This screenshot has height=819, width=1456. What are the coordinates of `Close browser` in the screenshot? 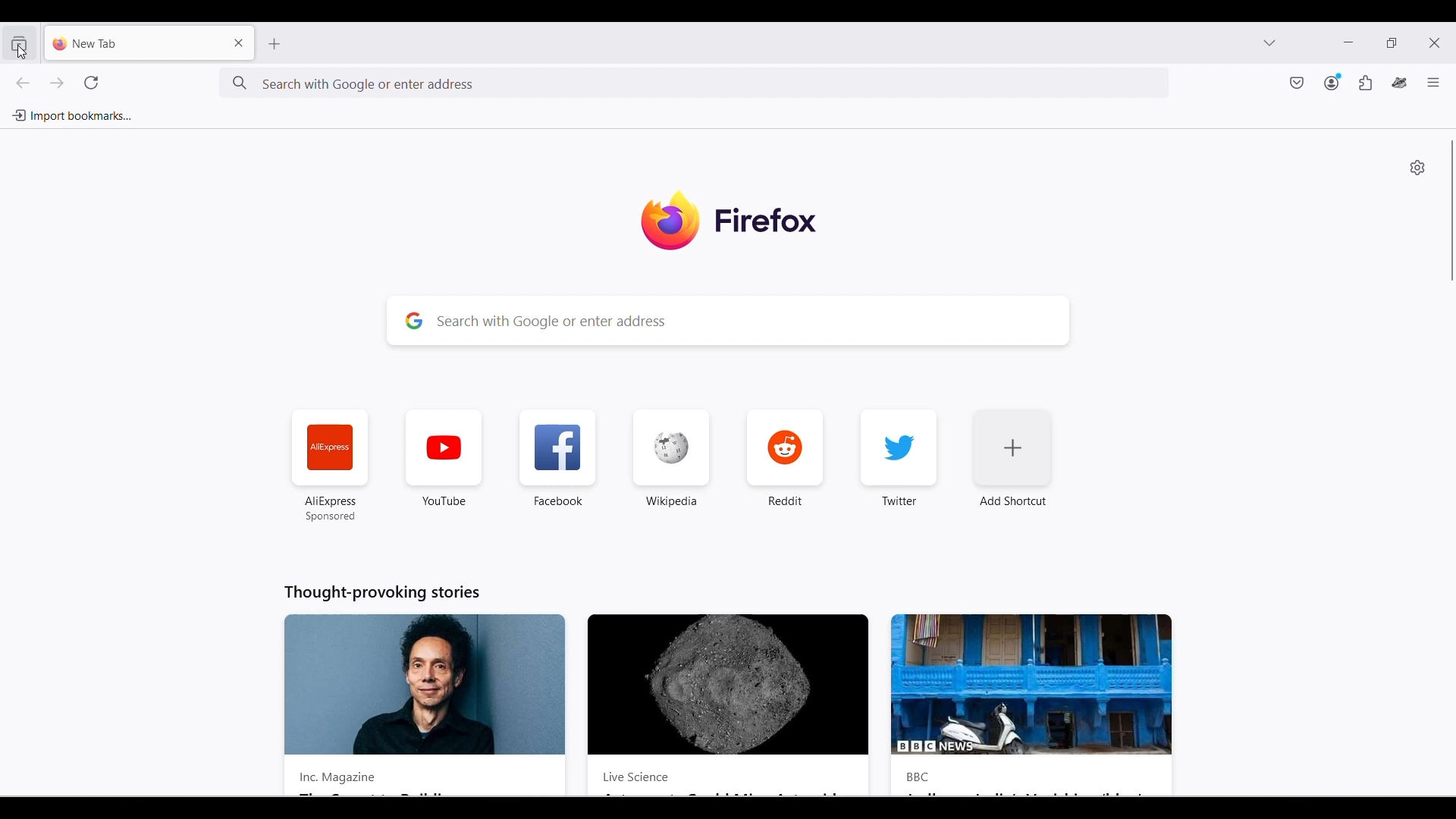 It's located at (1434, 42).